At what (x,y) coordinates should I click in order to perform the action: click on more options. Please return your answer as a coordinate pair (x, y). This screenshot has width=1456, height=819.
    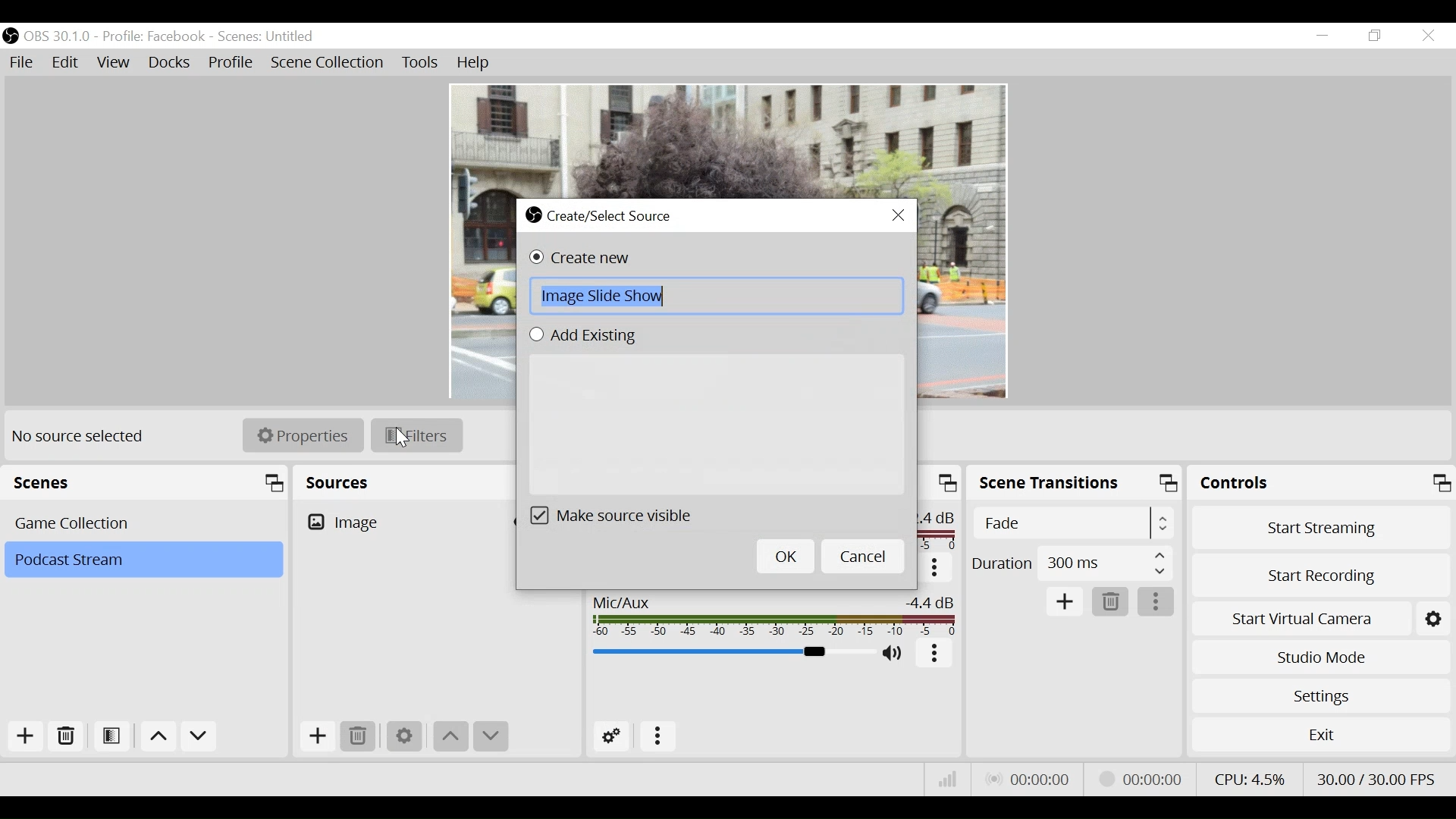
    Looking at the image, I should click on (1157, 603).